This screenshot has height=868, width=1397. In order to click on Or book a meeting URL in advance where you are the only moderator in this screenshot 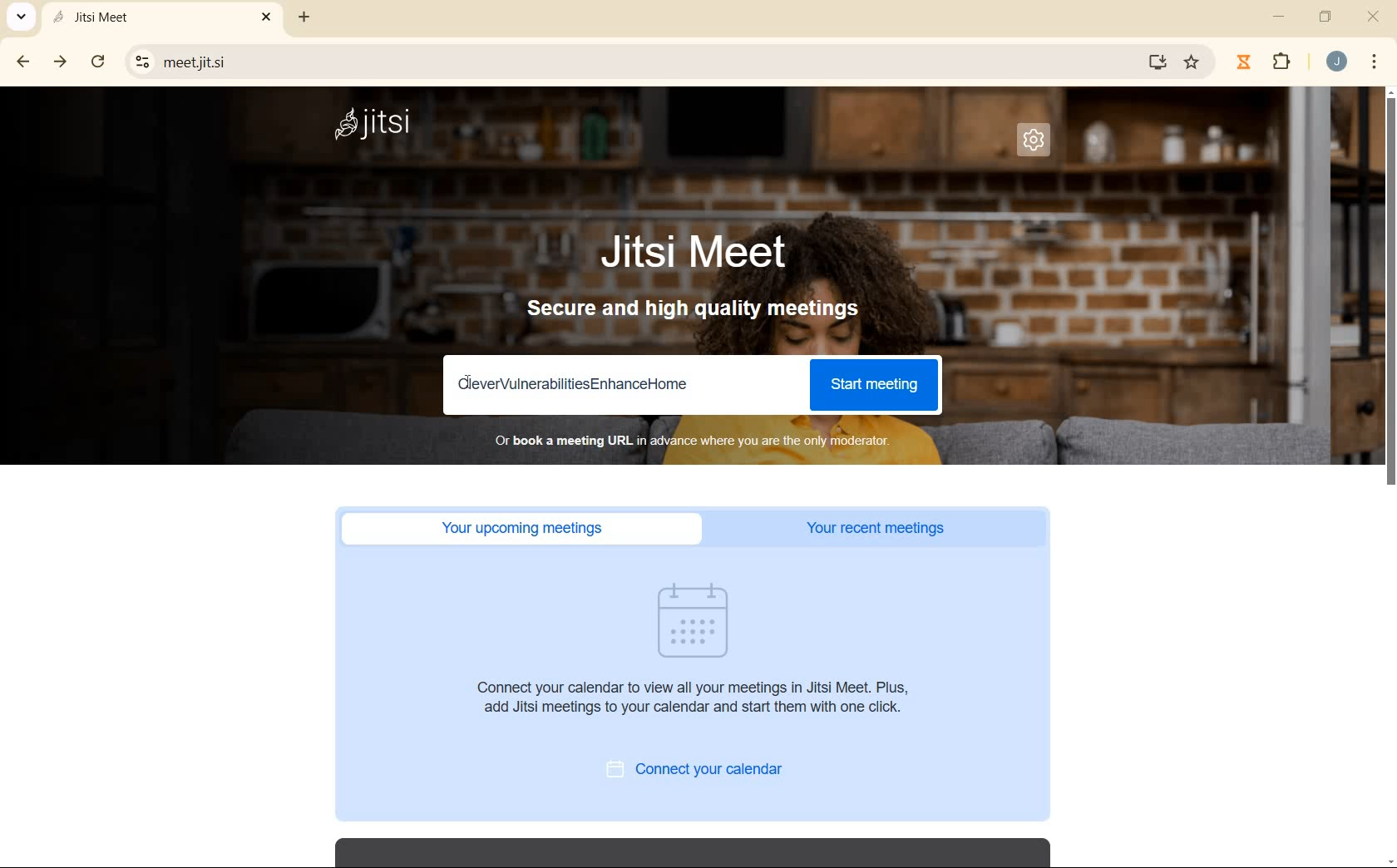, I will do `click(698, 442)`.